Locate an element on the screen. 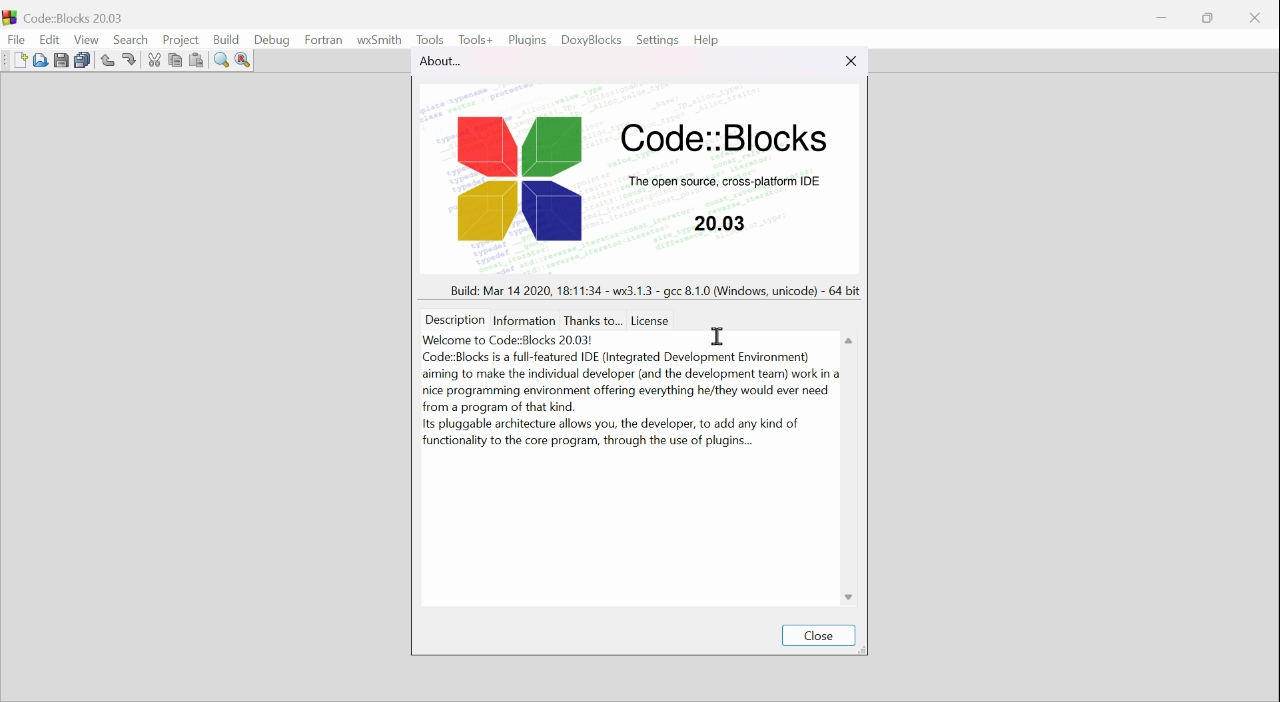 The image size is (1280, 702). Maximise is located at coordinates (1208, 19).